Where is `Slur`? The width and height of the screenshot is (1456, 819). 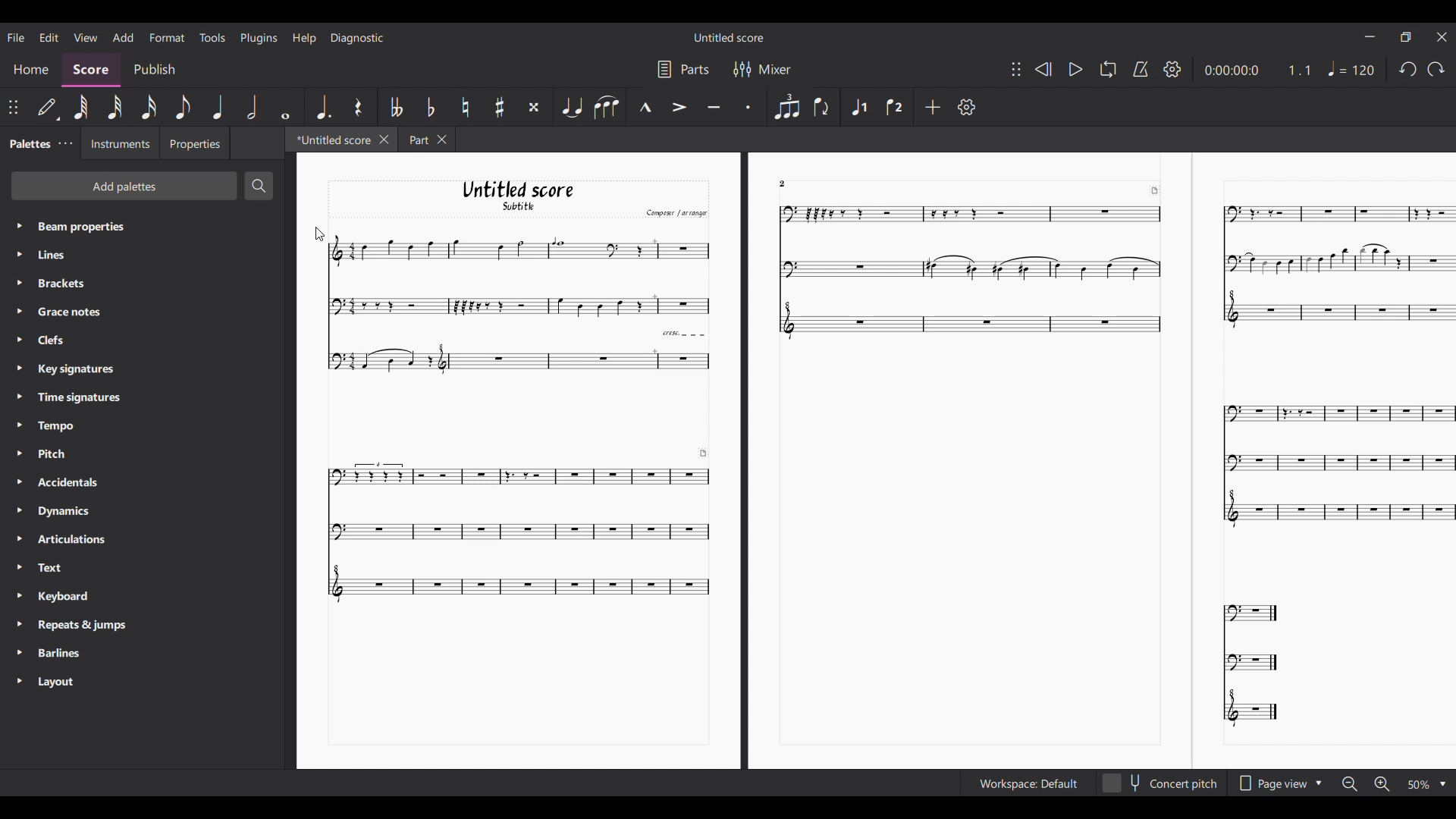 Slur is located at coordinates (607, 107).